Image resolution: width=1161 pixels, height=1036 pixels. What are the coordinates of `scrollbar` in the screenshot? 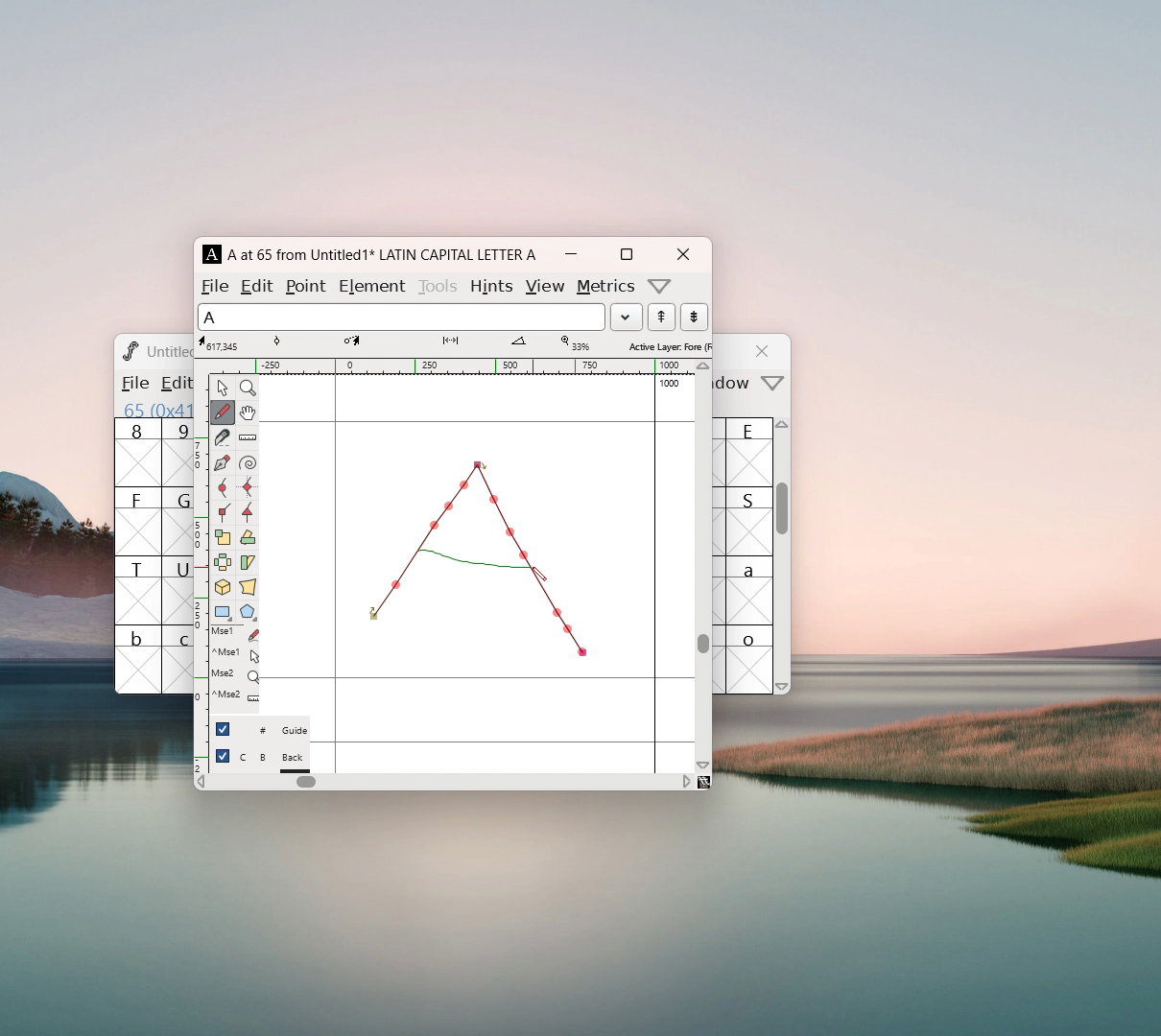 It's located at (703, 643).